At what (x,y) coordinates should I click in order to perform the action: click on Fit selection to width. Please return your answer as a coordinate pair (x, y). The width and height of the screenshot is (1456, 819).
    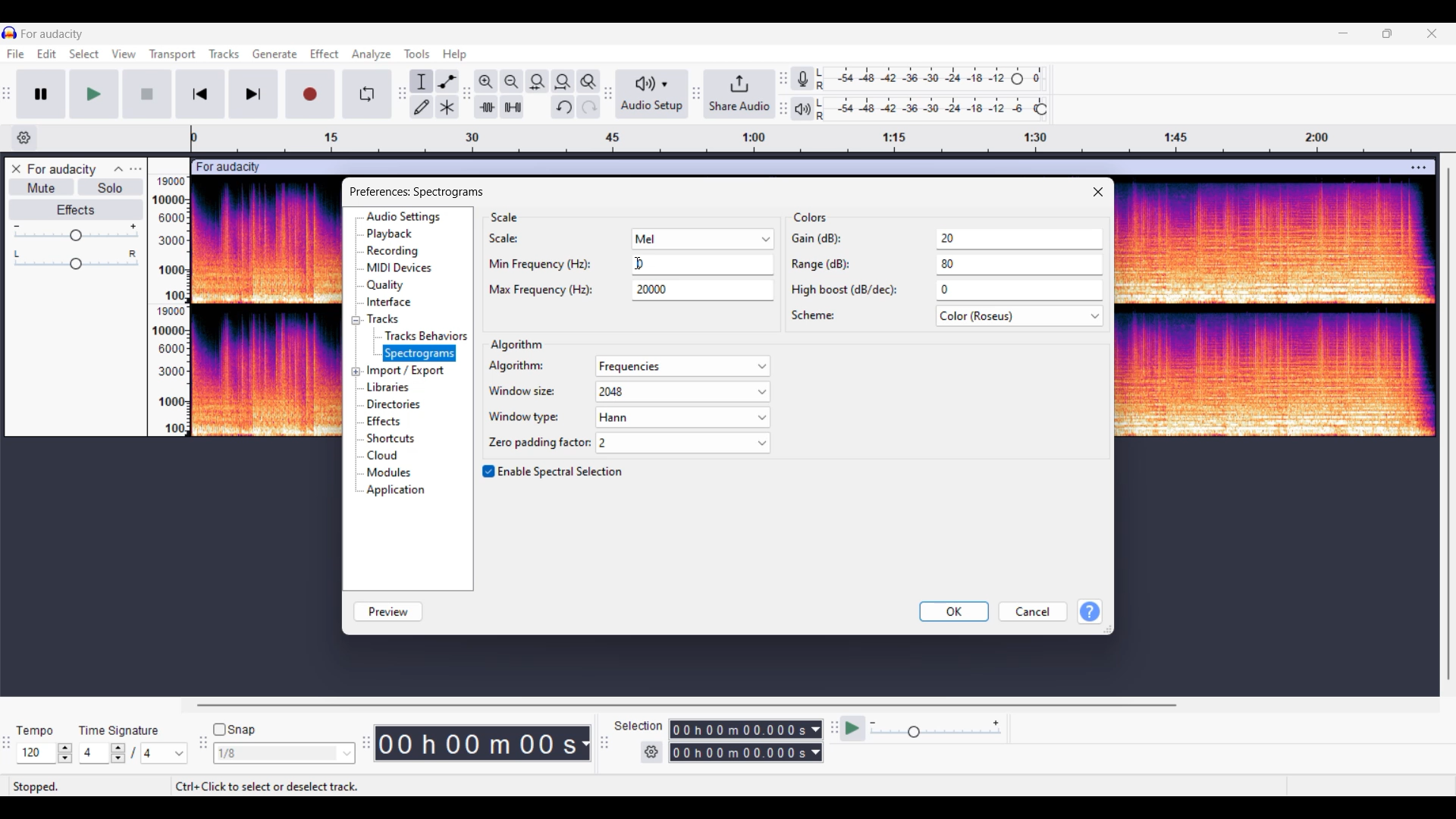
    Looking at the image, I should click on (538, 82).